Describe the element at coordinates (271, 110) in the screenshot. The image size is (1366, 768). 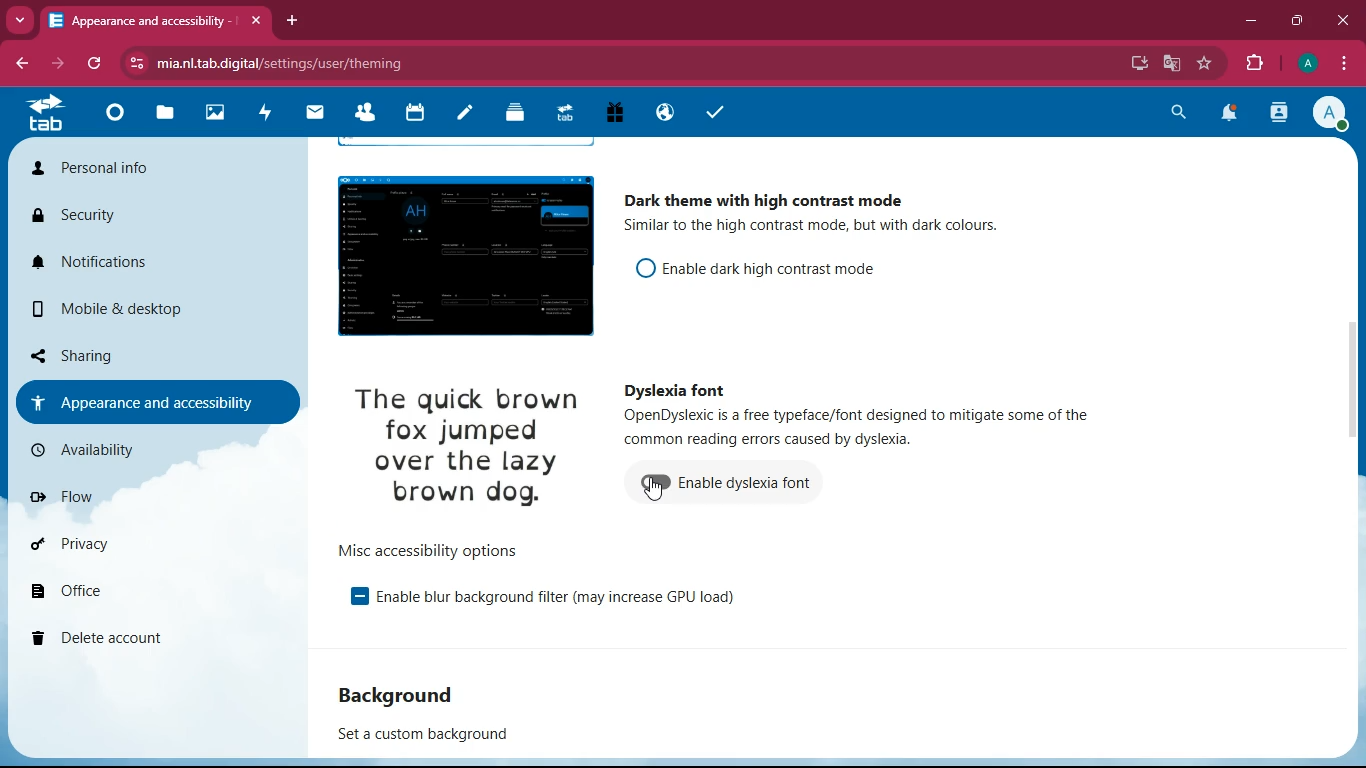
I see `activity` at that location.